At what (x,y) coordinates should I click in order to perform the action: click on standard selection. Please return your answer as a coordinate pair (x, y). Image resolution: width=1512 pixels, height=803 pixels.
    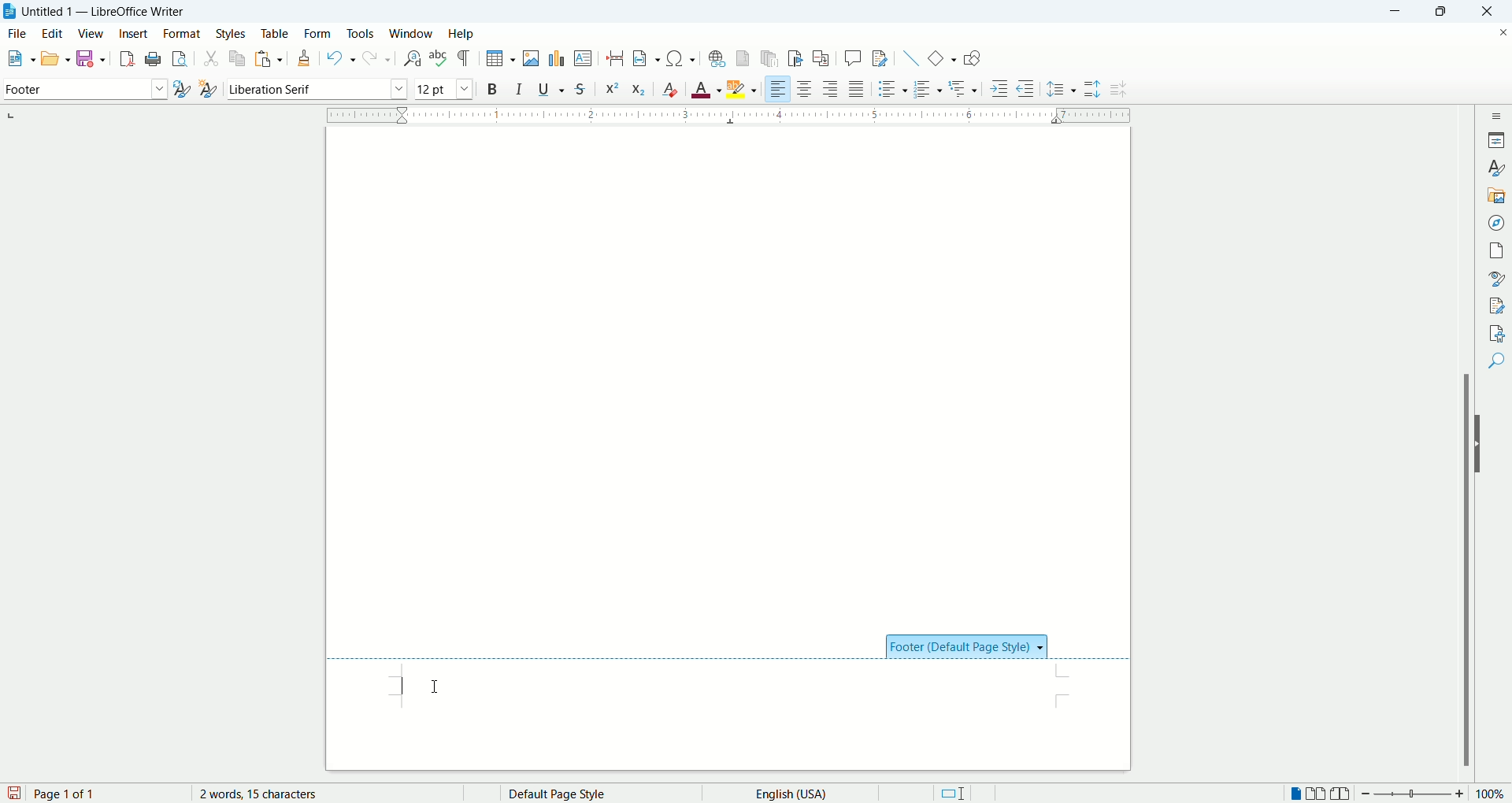
    Looking at the image, I should click on (952, 794).